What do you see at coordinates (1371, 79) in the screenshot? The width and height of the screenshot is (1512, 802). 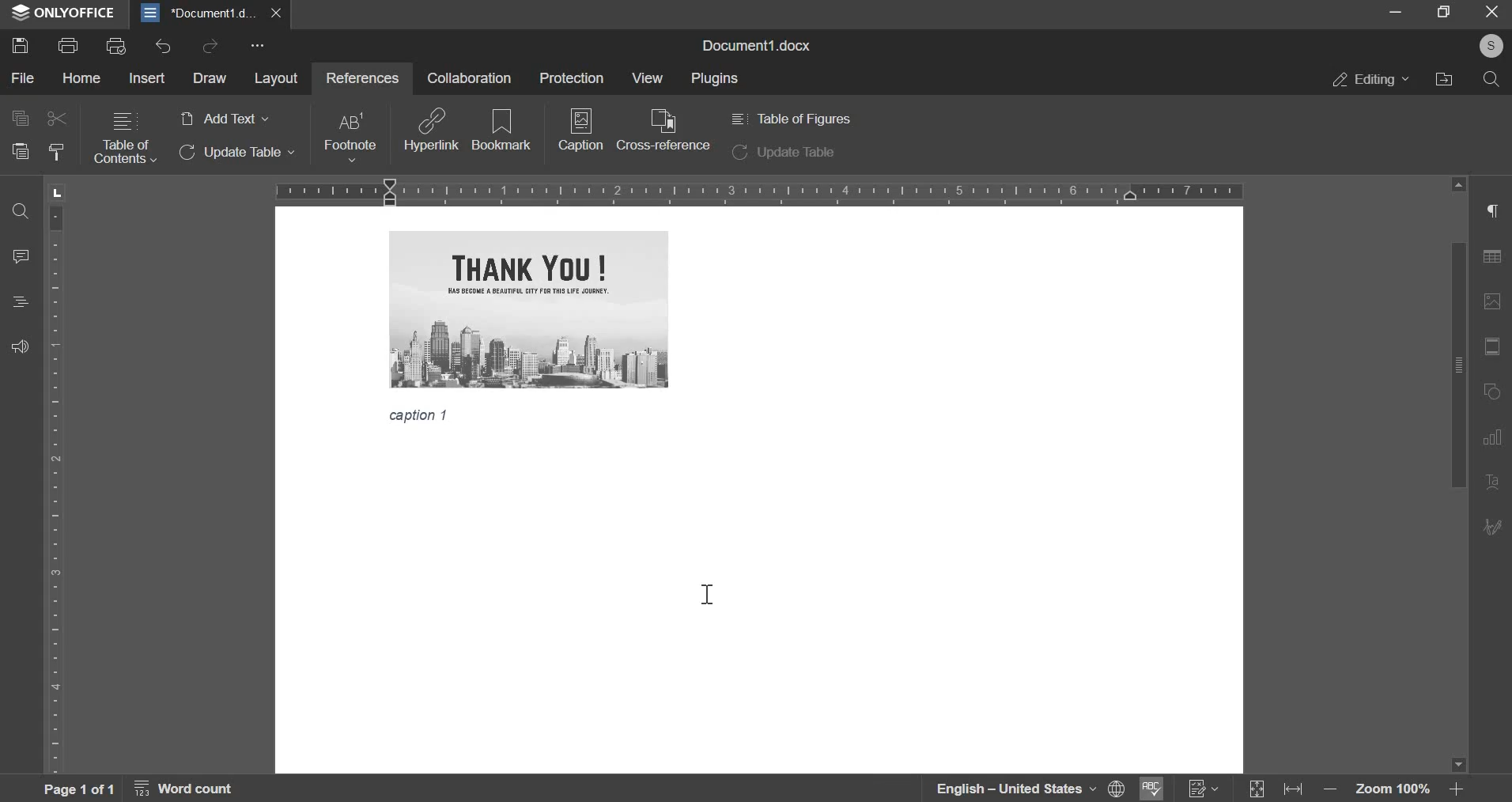 I see `editing` at bounding box center [1371, 79].